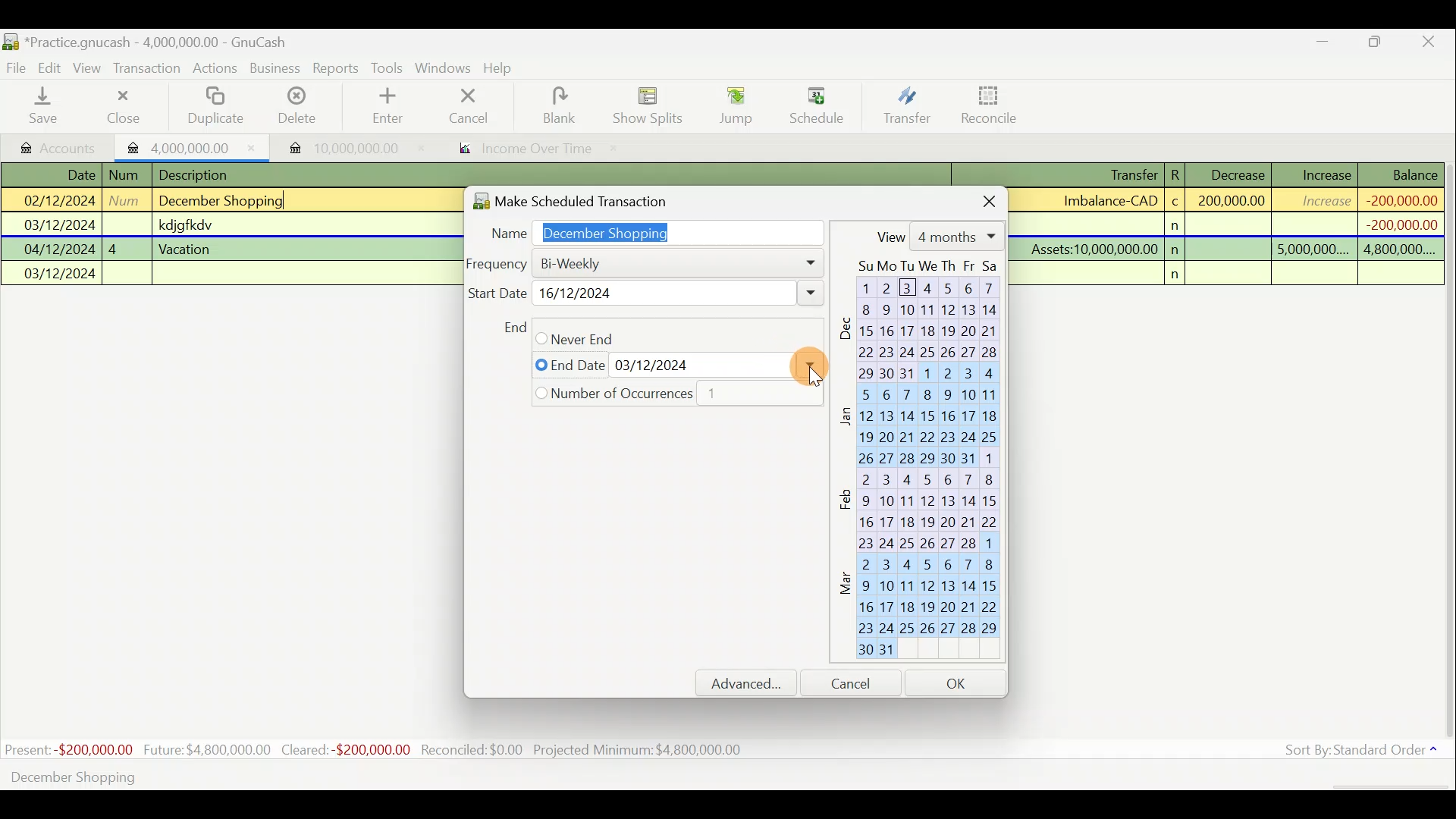  Describe the element at coordinates (520, 150) in the screenshot. I see `Report` at that location.